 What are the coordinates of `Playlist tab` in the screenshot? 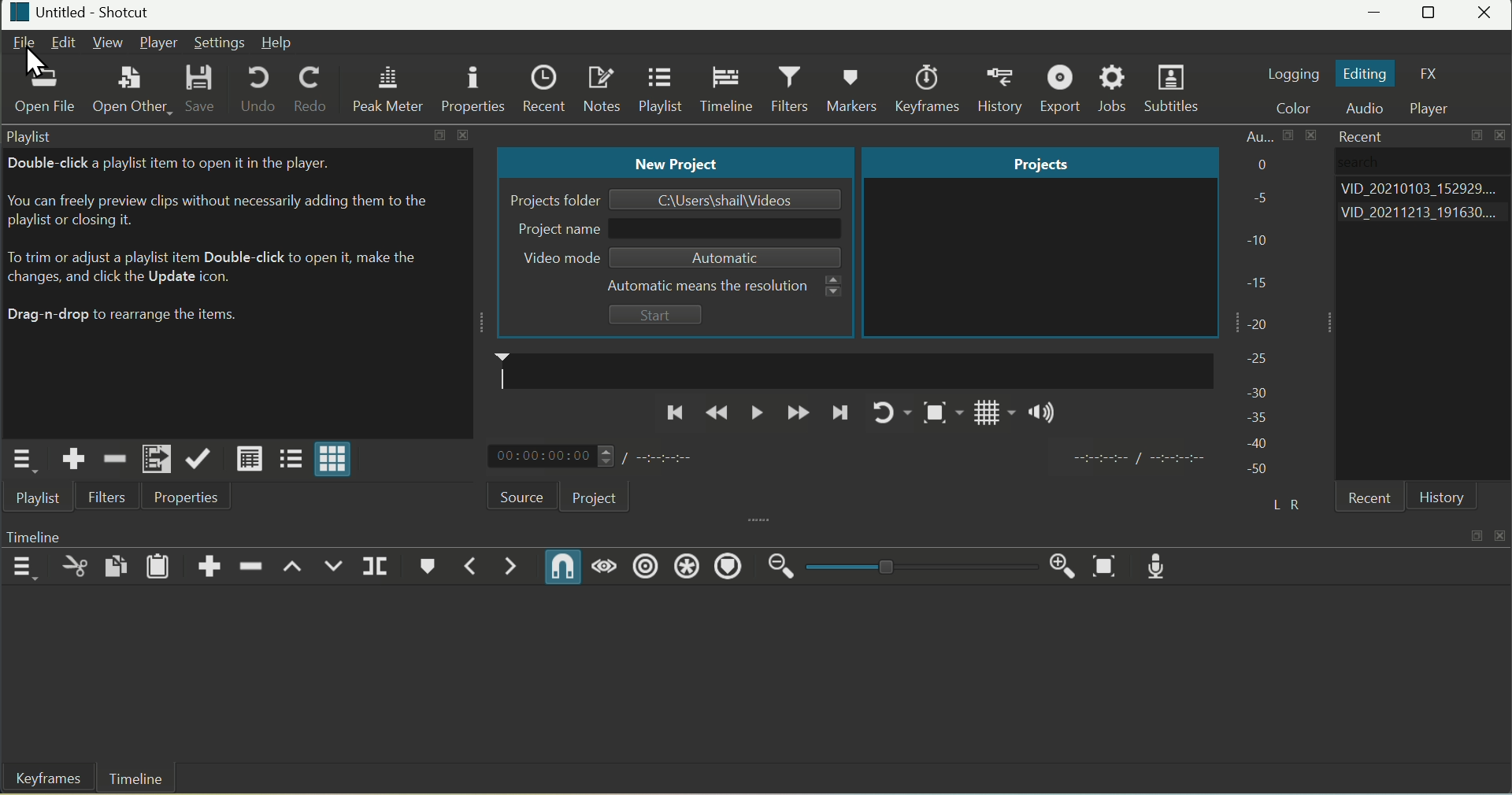 It's located at (235, 283).